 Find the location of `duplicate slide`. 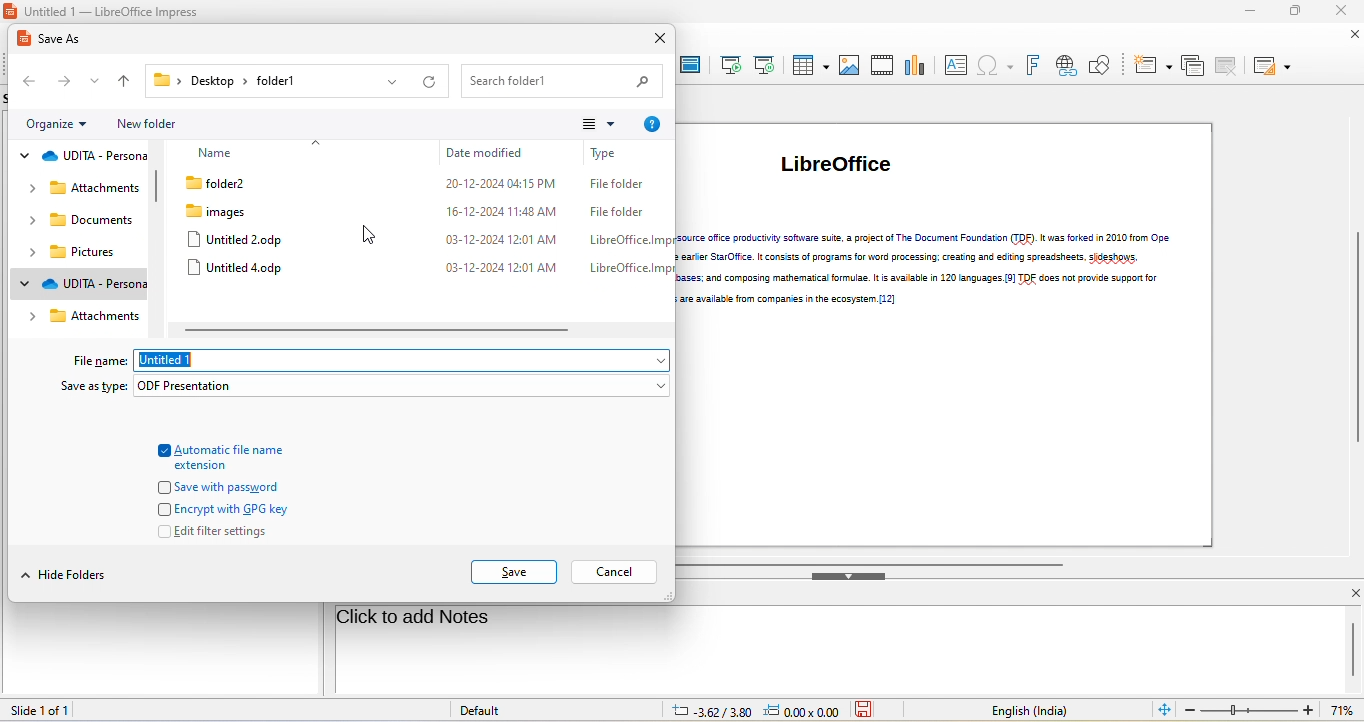

duplicate slide is located at coordinates (1195, 66).